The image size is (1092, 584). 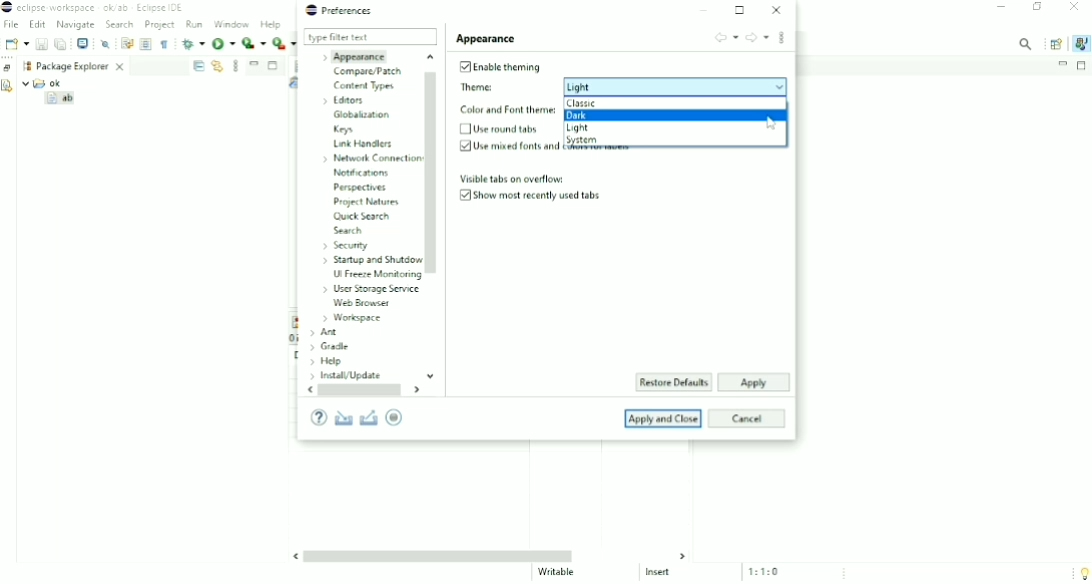 I want to click on Network Connection, so click(x=369, y=160).